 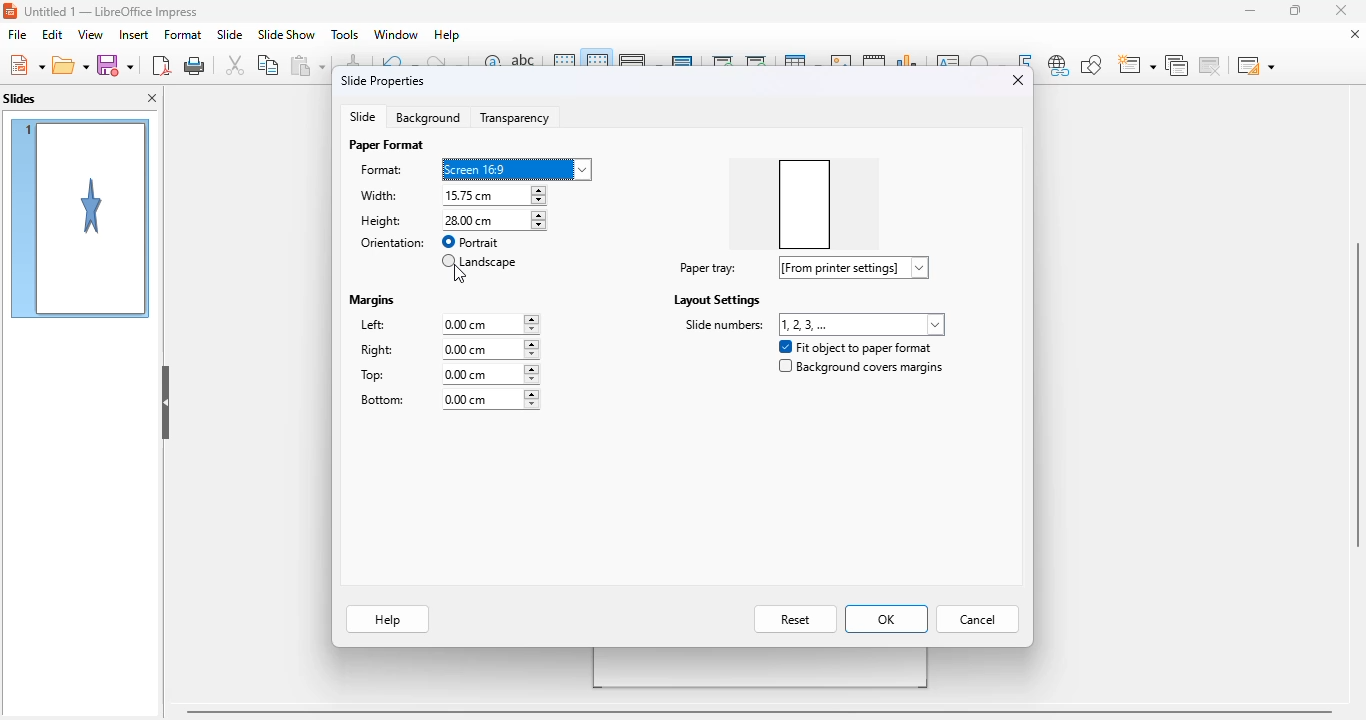 I want to click on insert hyperlink, so click(x=1059, y=66).